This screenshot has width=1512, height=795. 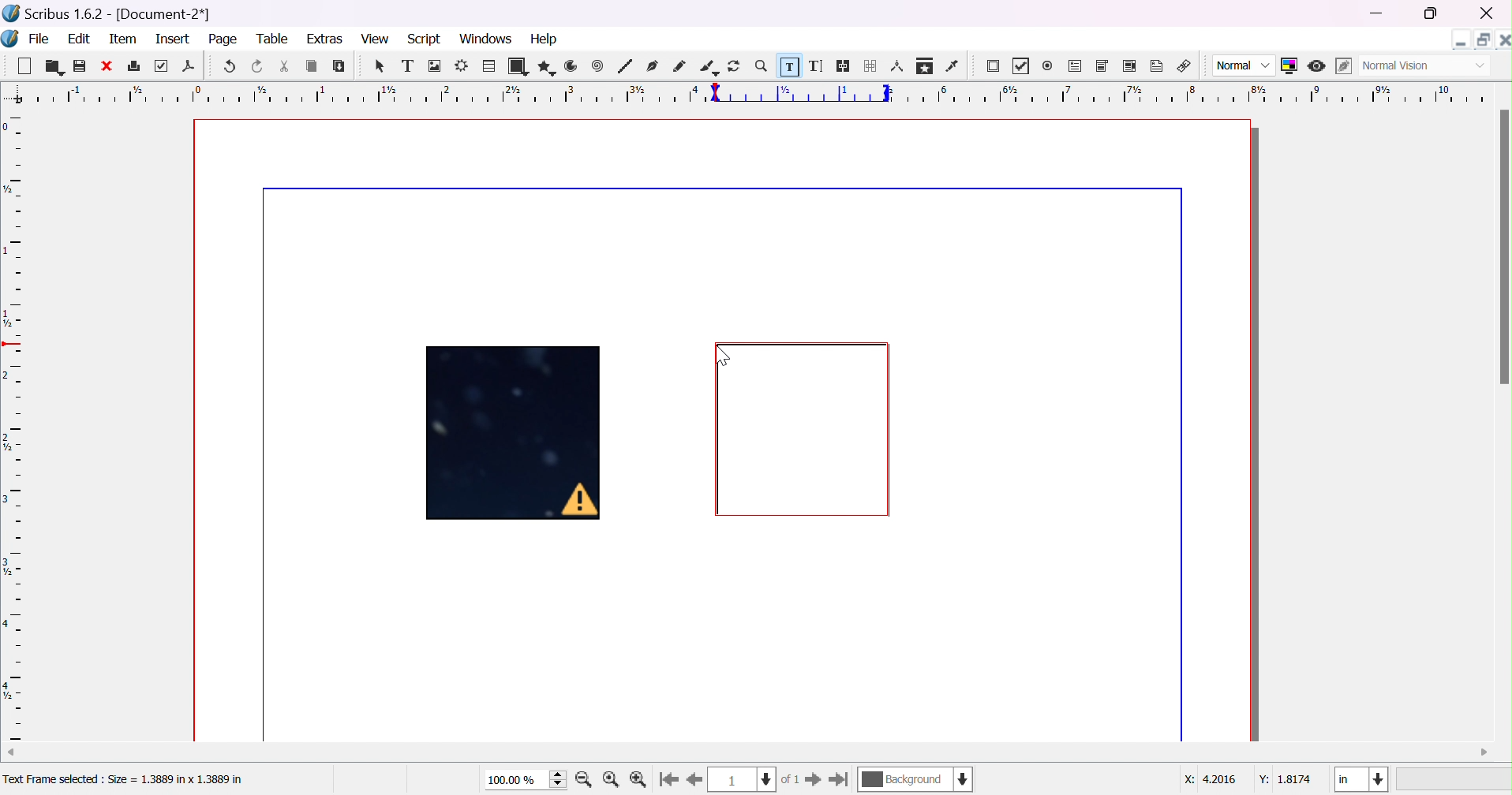 I want to click on link text frames, so click(x=844, y=66).